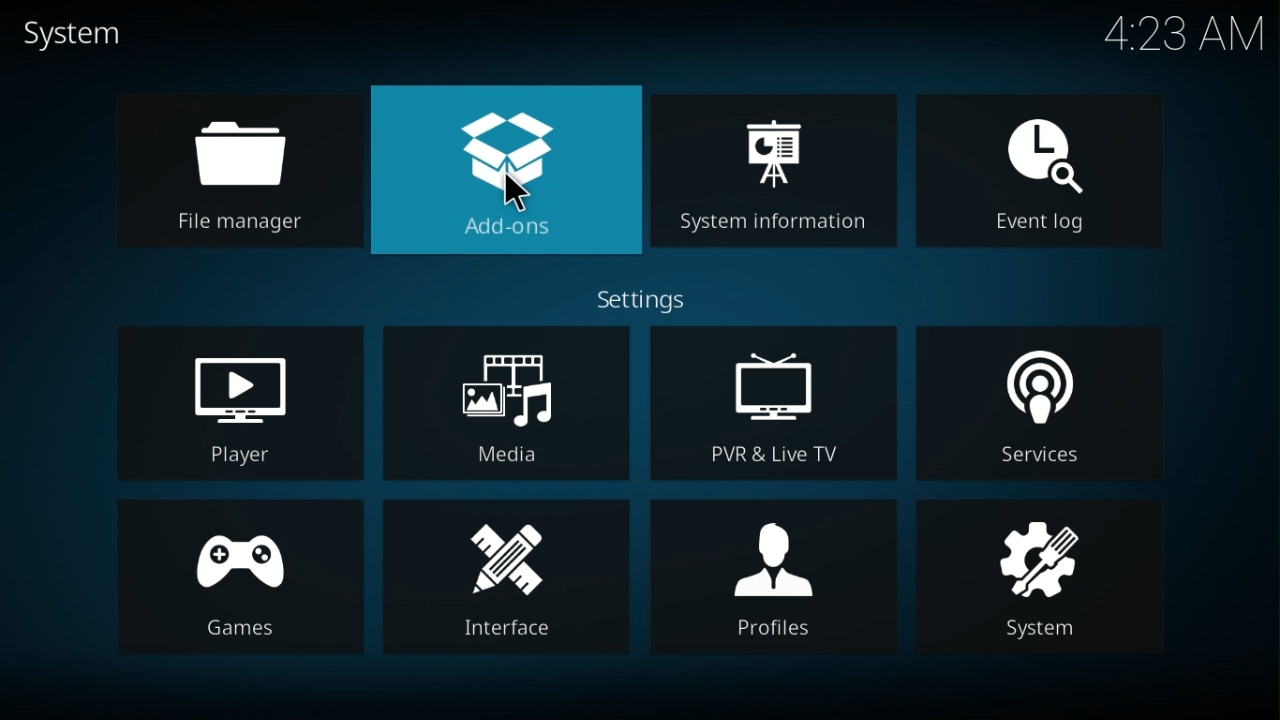 The width and height of the screenshot is (1280, 720). I want to click on Interface profiles, so click(506, 578).